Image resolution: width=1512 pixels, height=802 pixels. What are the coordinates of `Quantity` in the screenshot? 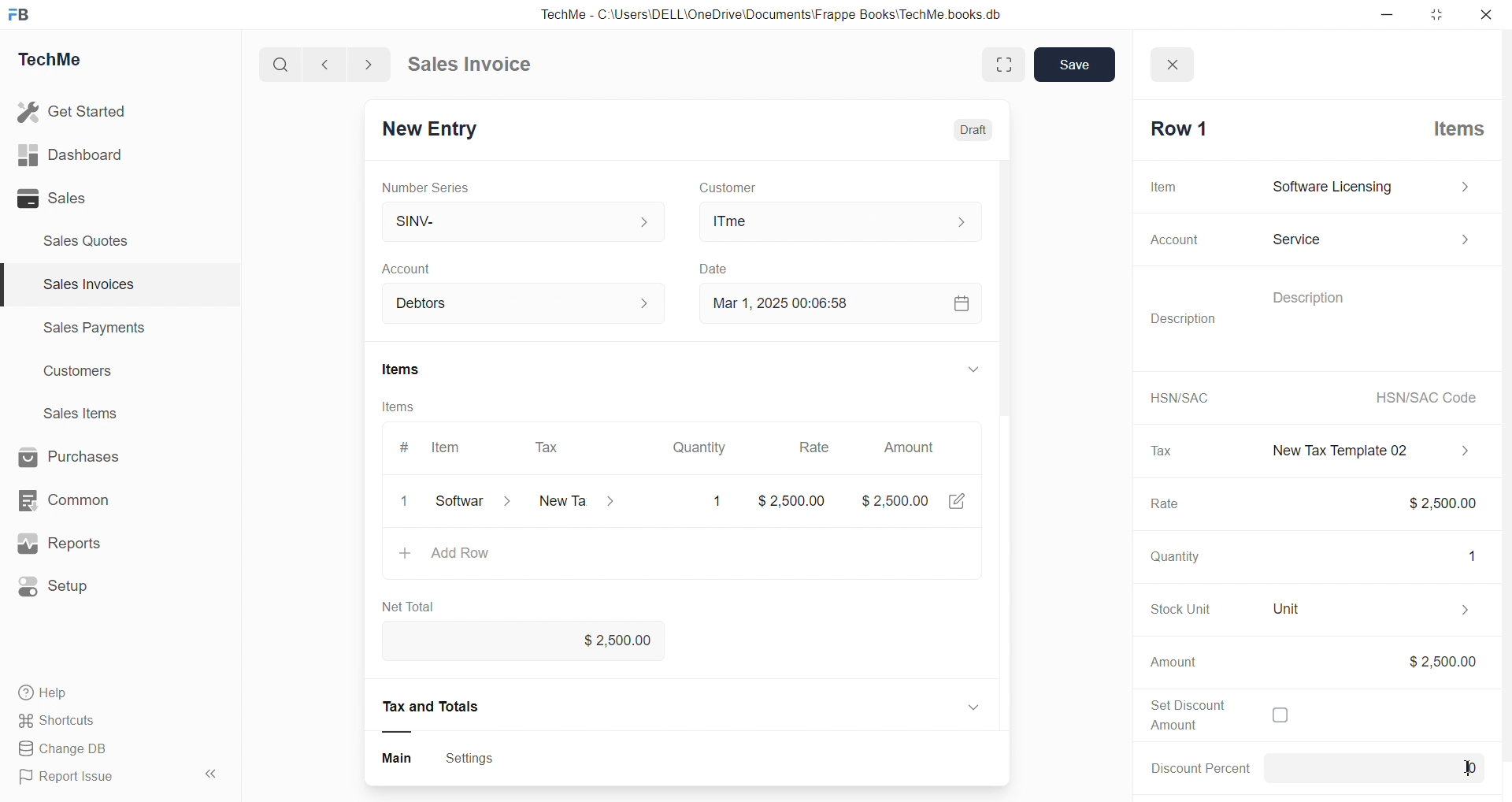 It's located at (699, 443).